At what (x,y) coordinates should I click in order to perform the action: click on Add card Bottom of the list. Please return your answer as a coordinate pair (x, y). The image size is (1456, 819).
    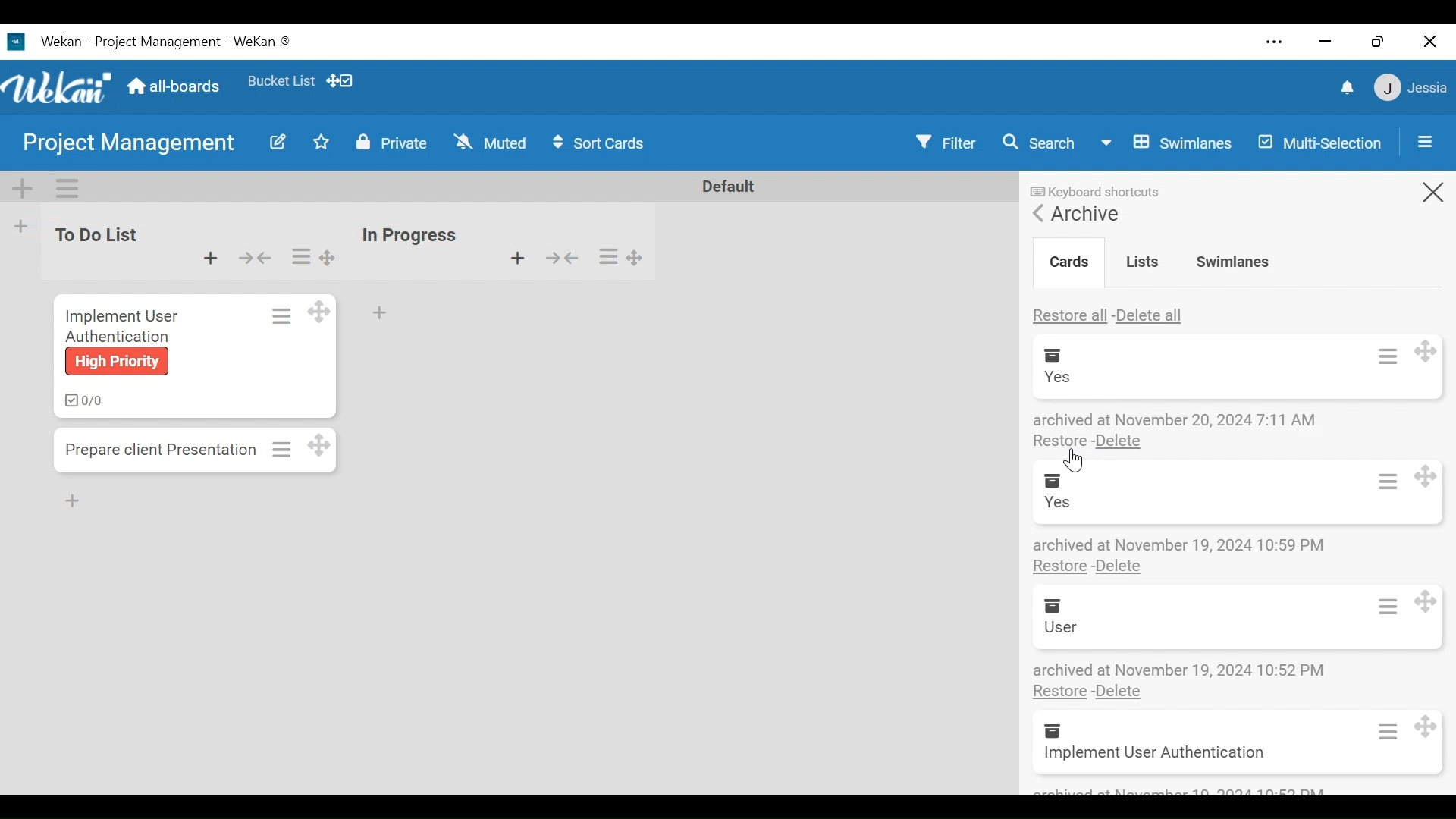
    Looking at the image, I should click on (378, 310).